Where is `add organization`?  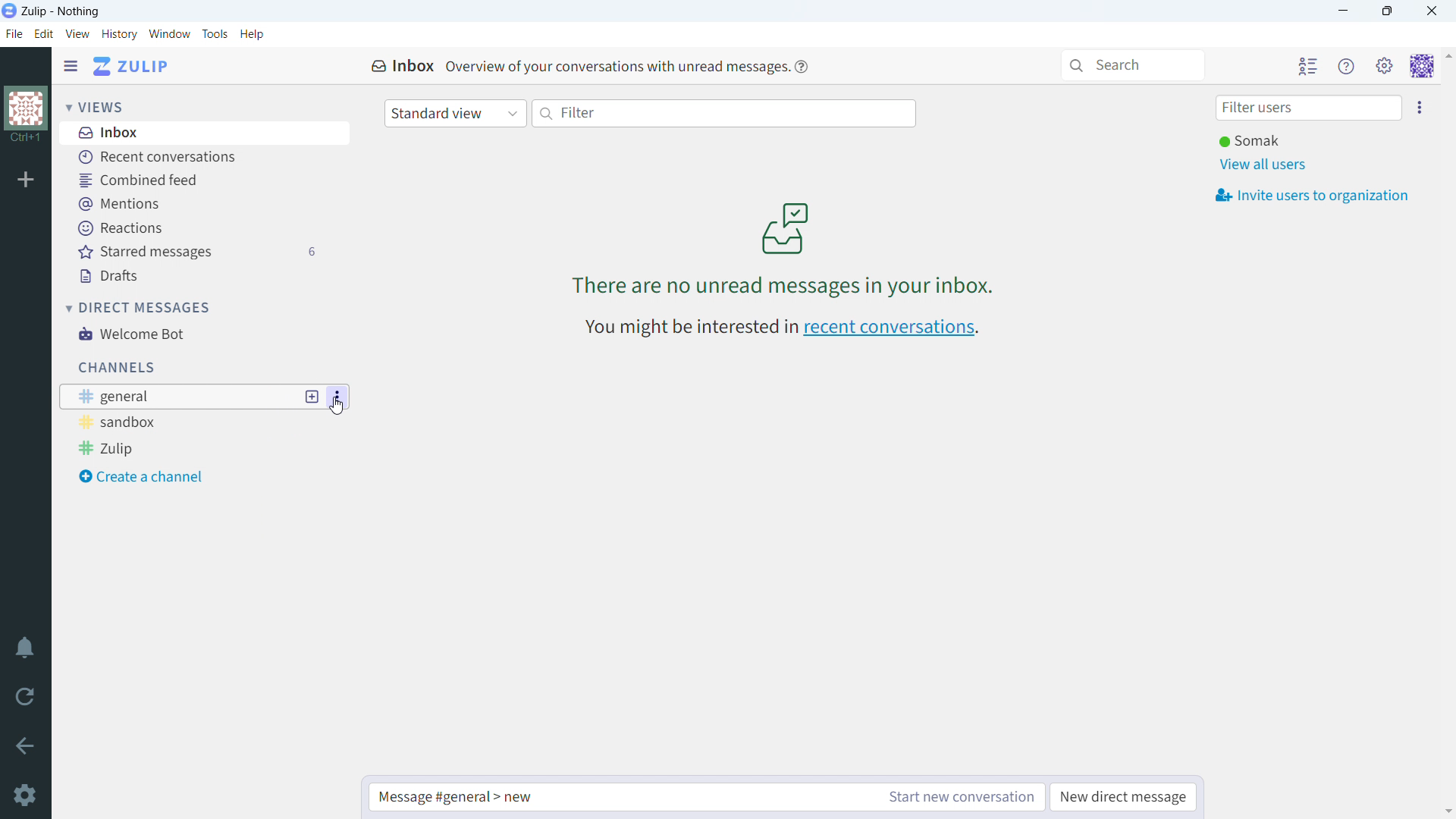 add organization is located at coordinates (25, 178).